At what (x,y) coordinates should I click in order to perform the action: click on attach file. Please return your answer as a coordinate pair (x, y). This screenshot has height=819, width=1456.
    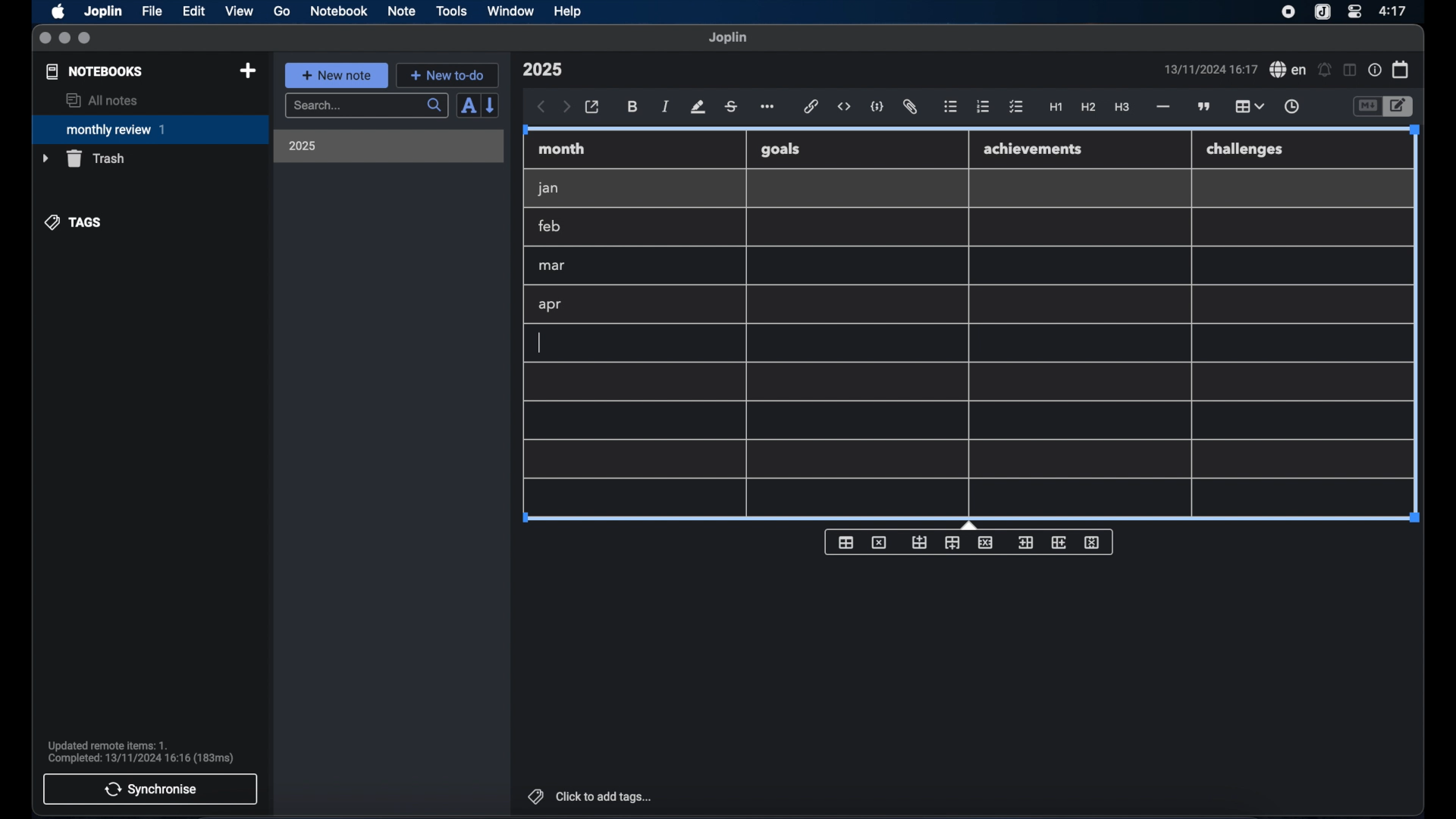
    Looking at the image, I should click on (910, 107).